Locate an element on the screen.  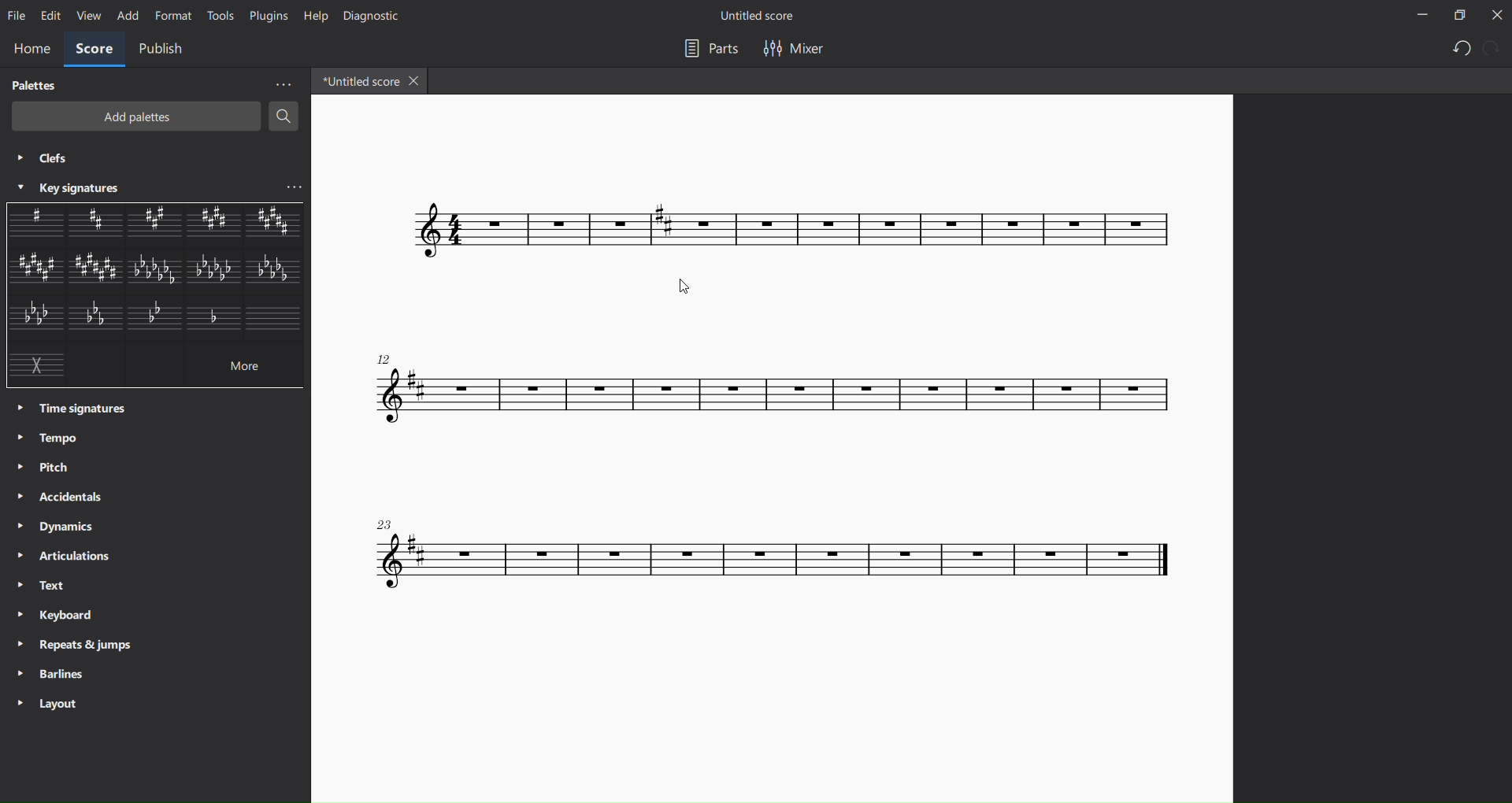
undo is located at coordinates (1458, 50).